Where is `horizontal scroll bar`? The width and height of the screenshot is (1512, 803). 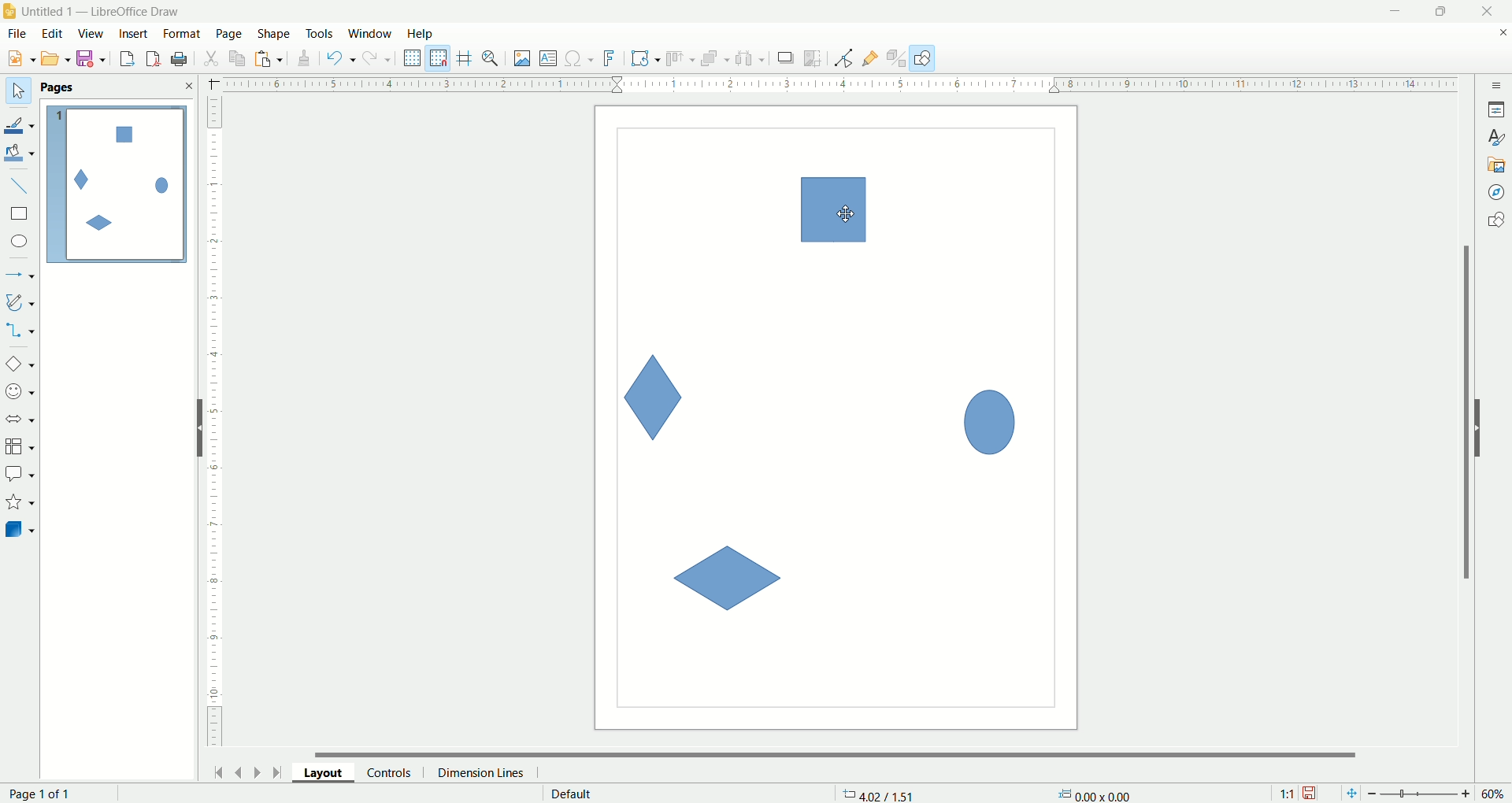 horizontal scroll bar is located at coordinates (845, 753).